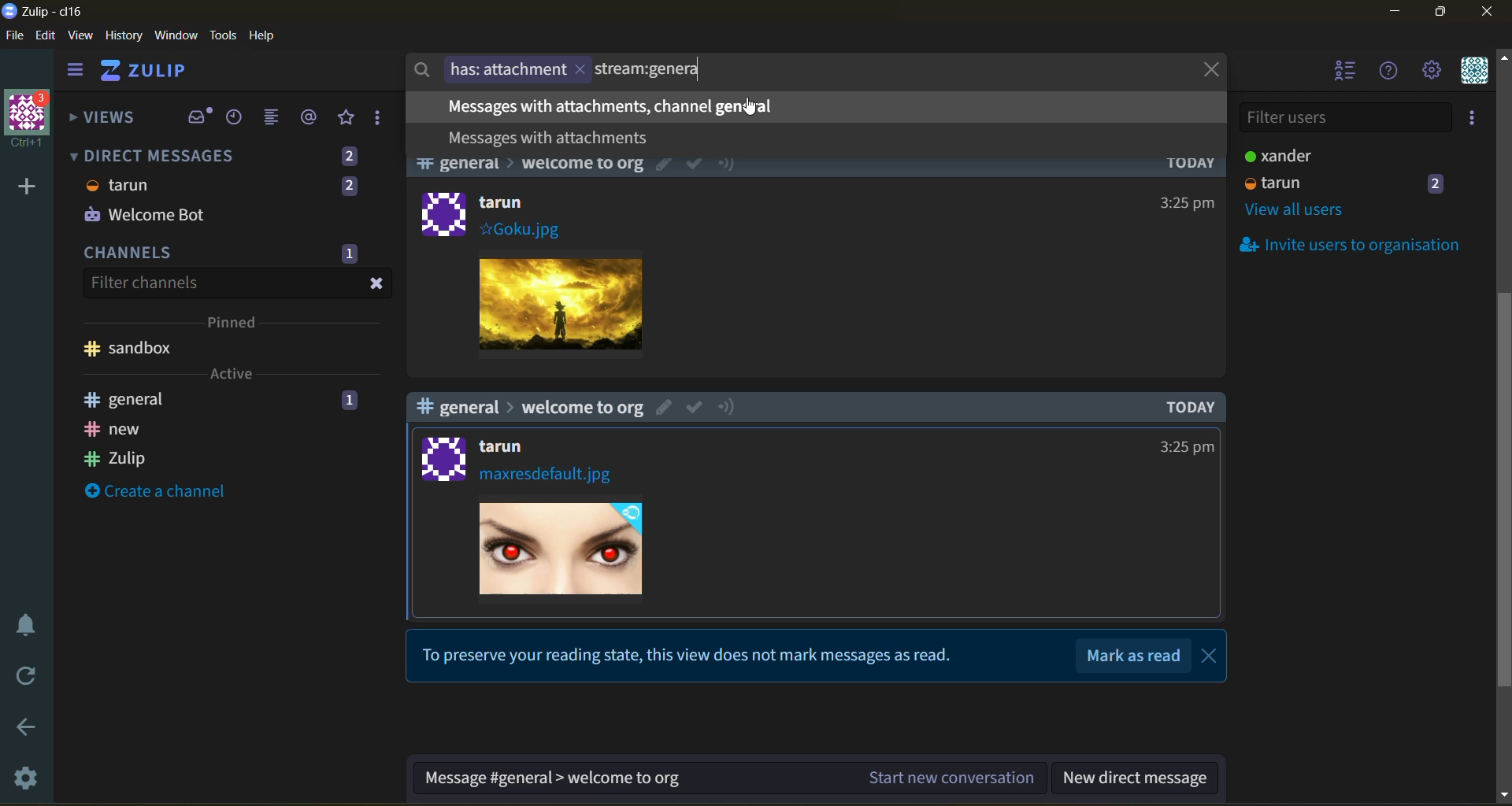 The height and width of the screenshot is (806, 1512). What do you see at coordinates (1212, 656) in the screenshot?
I see `close` at bounding box center [1212, 656].